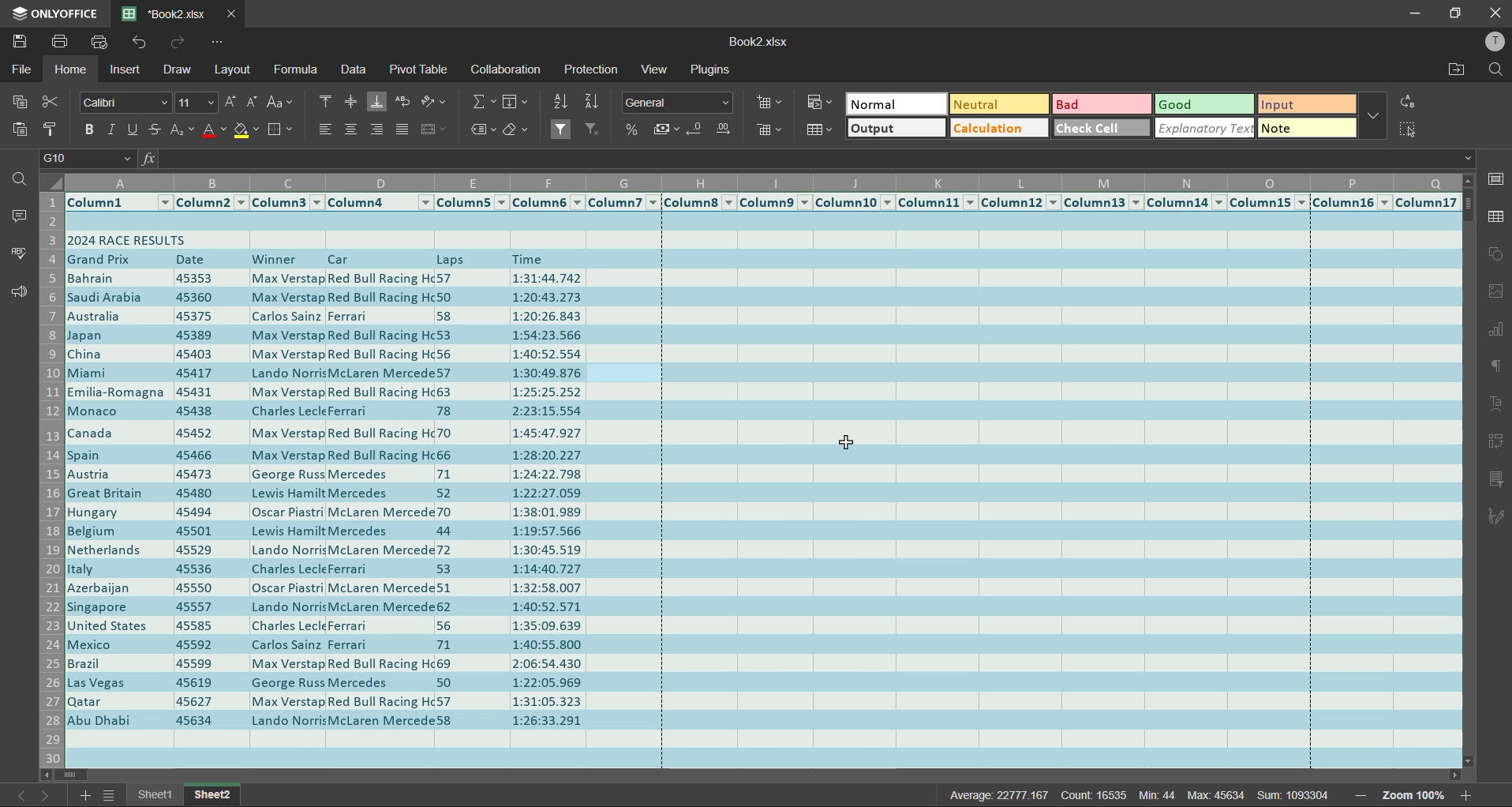 The image size is (1512, 807). Describe the element at coordinates (23, 68) in the screenshot. I see `file` at that location.